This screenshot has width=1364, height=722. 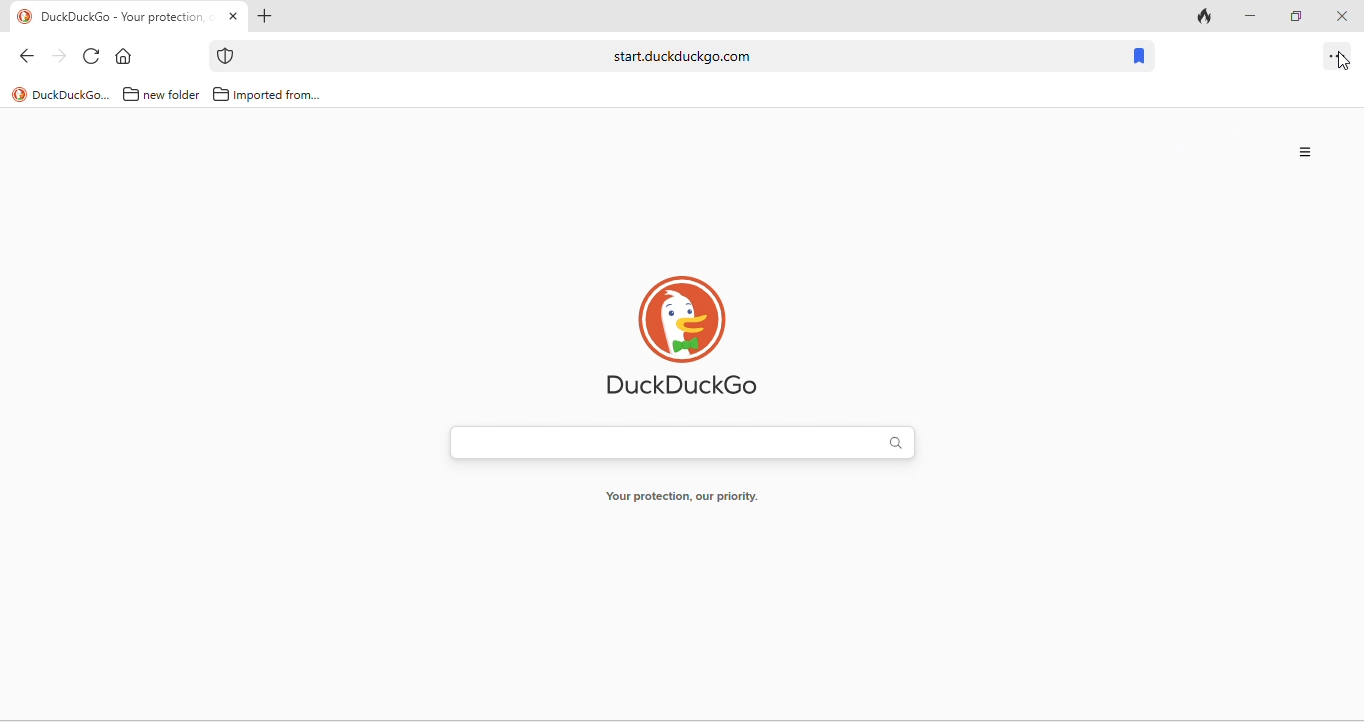 I want to click on folder icon, so click(x=221, y=94).